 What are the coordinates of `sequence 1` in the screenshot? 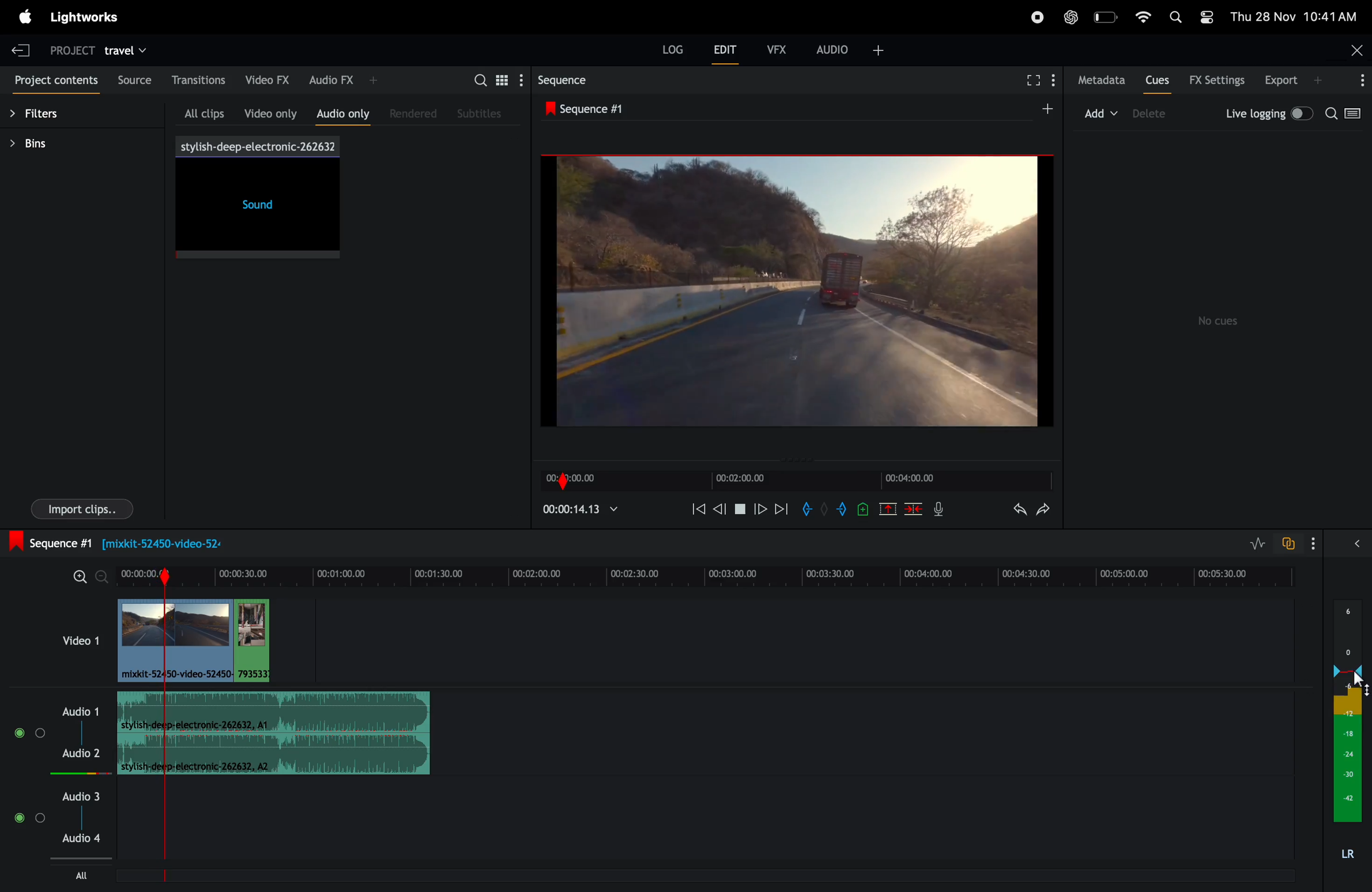 It's located at (691, 109).